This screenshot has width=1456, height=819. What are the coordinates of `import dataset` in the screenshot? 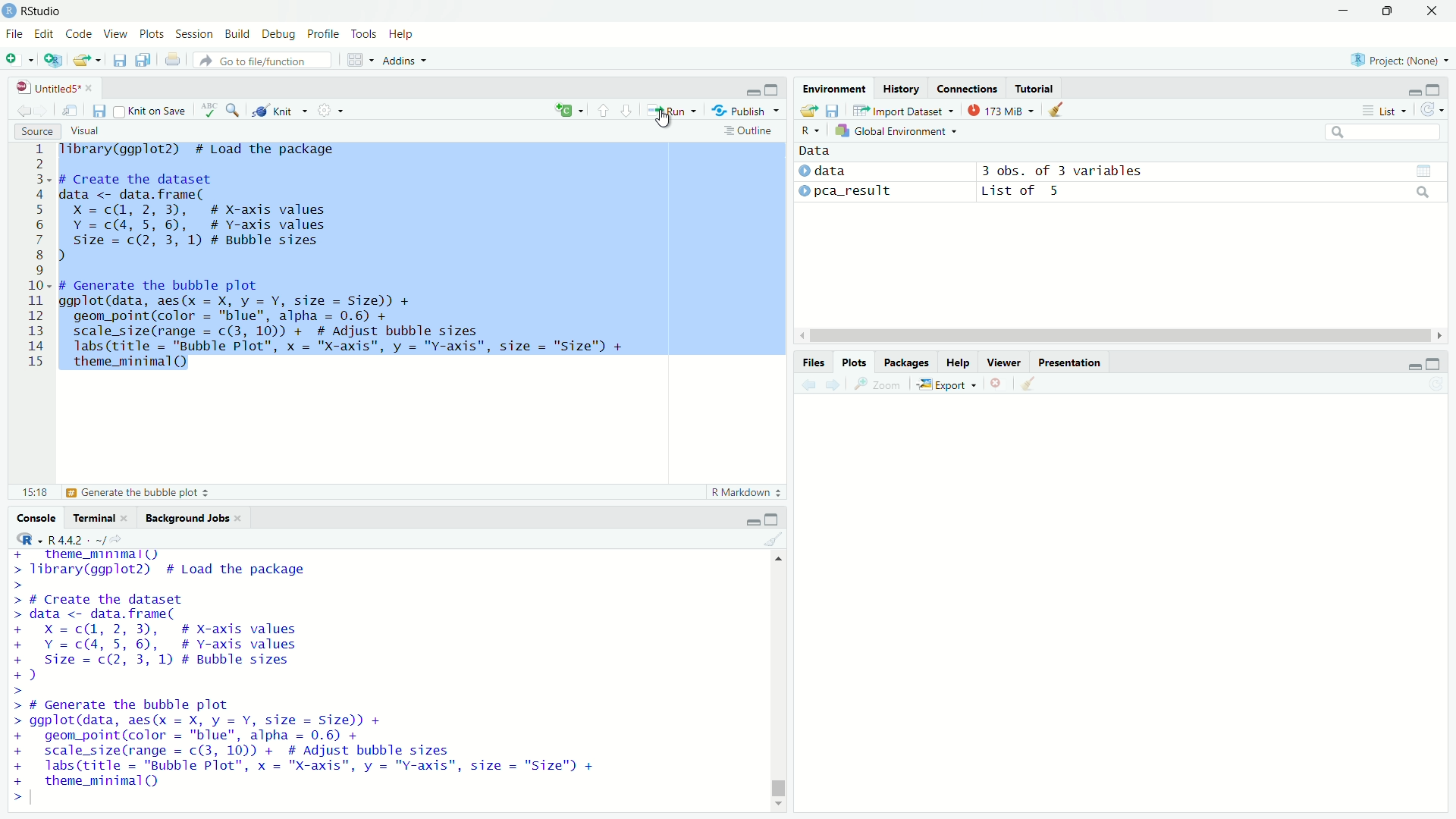 It's located at (902, 111).